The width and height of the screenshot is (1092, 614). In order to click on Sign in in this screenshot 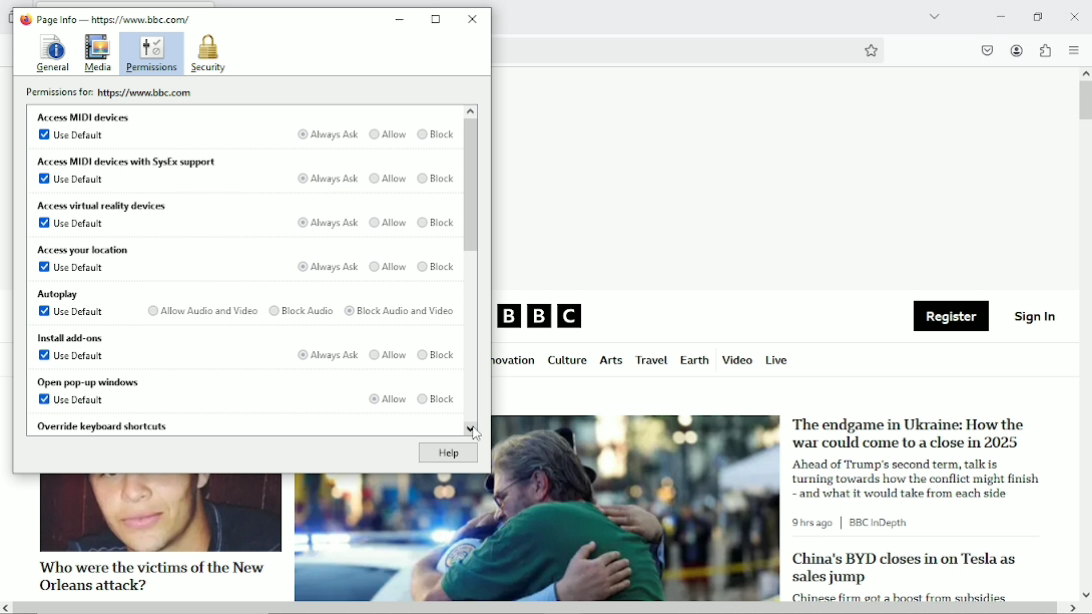, I will do `click(1036, 315)`.